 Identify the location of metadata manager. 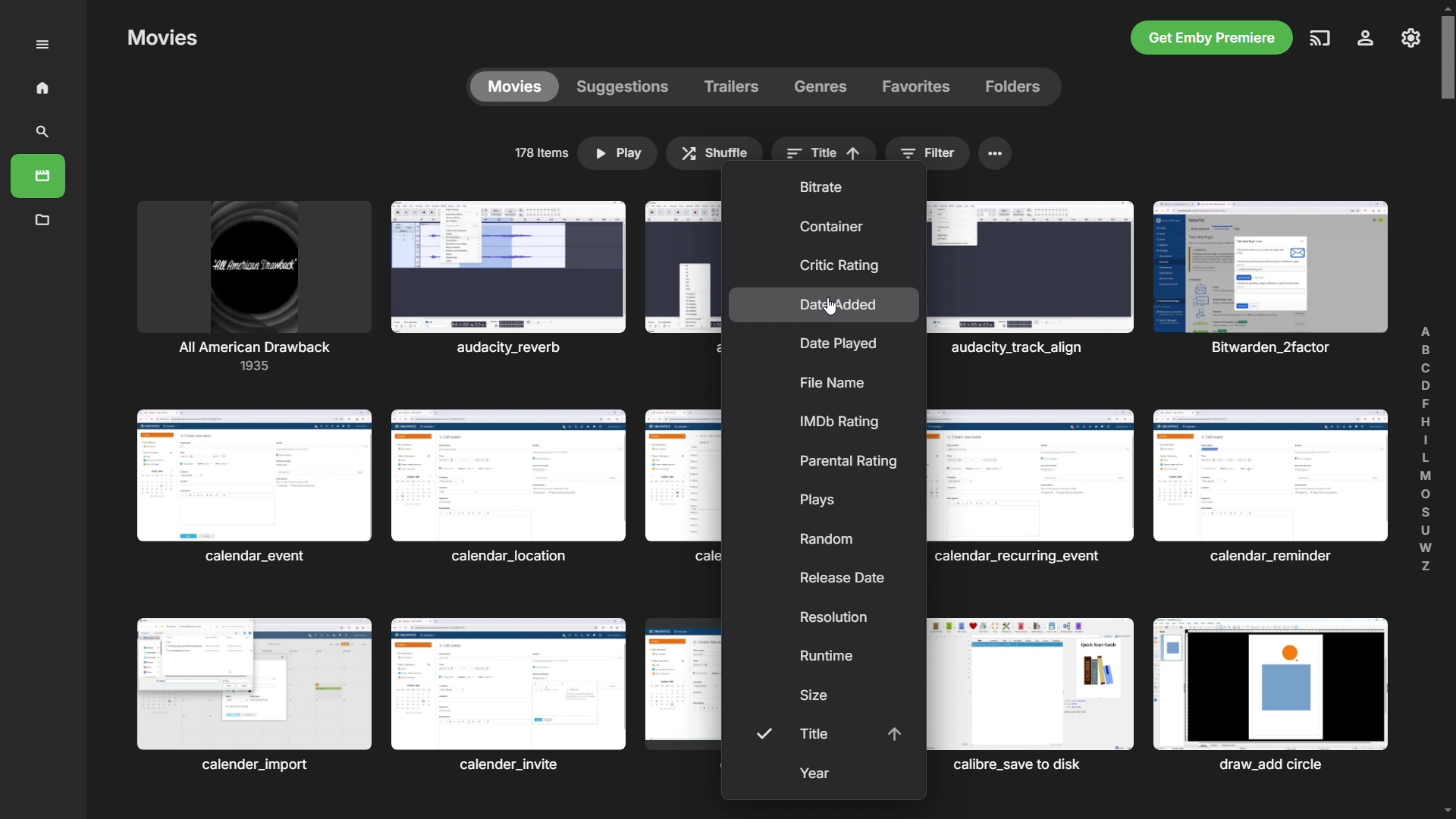
(44, 219).